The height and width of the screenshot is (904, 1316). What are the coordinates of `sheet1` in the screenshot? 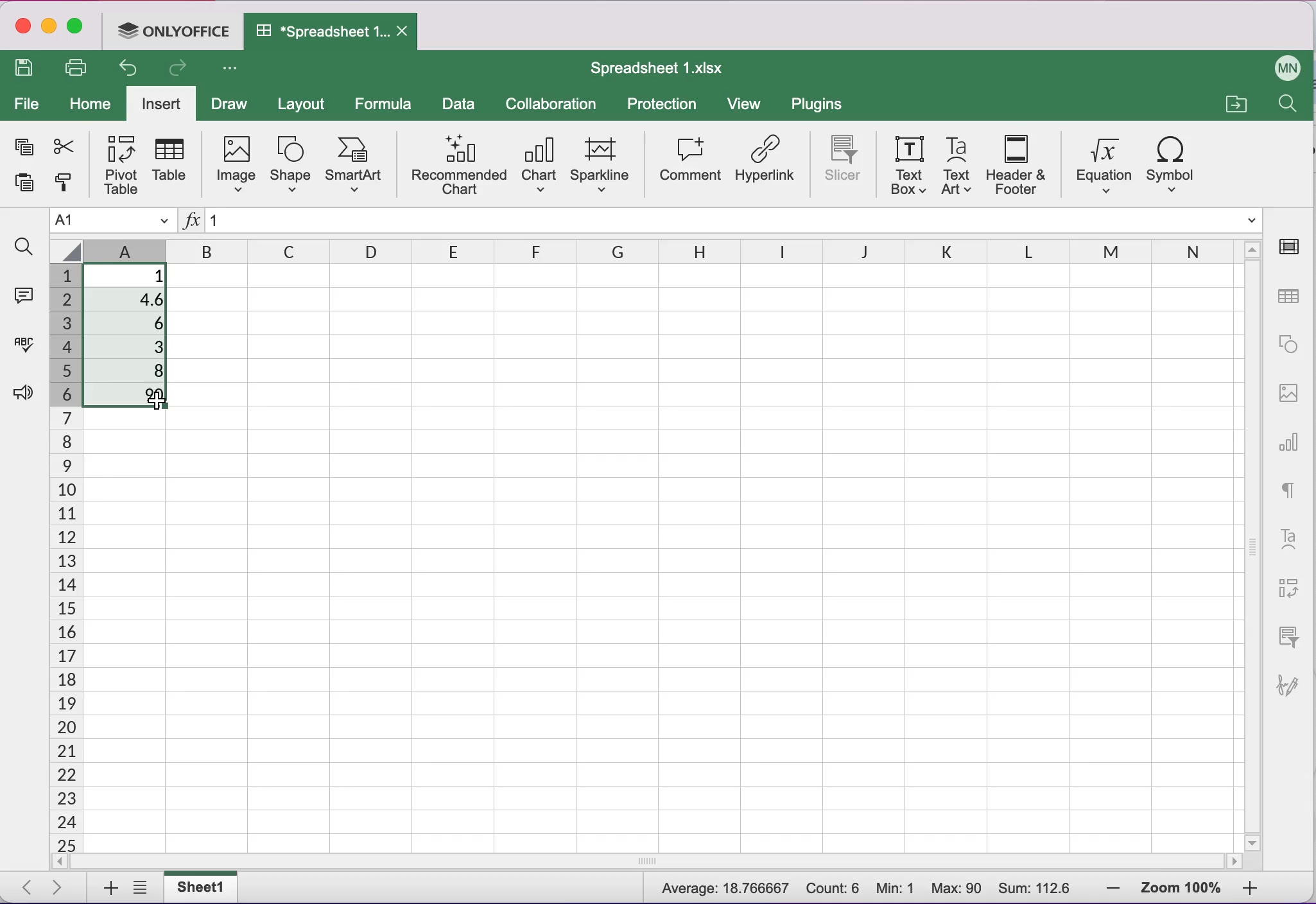 It's located at (202, 887).